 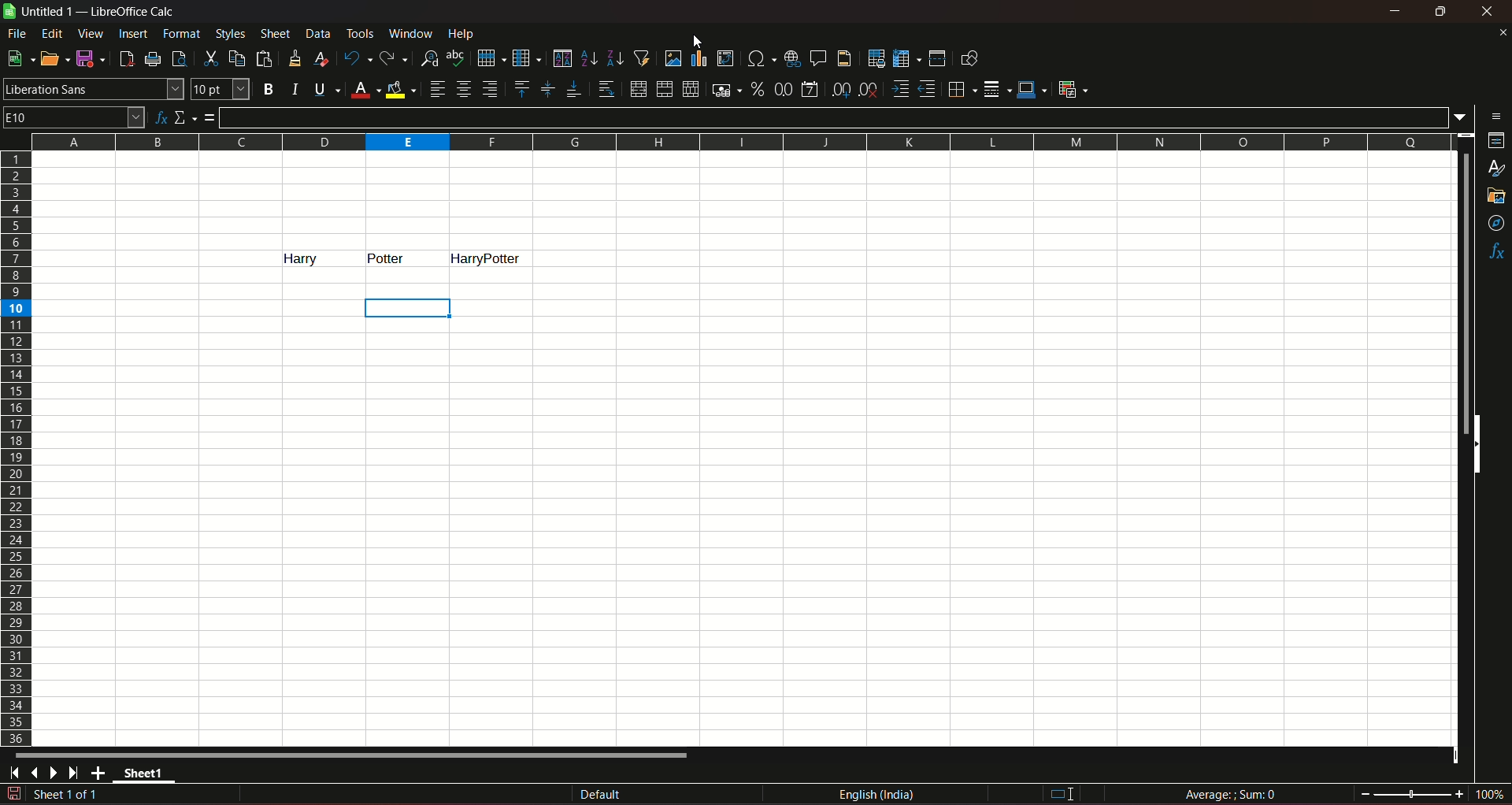 What do you see at coordinates (1487, 12) in the screenshot?
I see `close` at bounding box center [1487, 12].